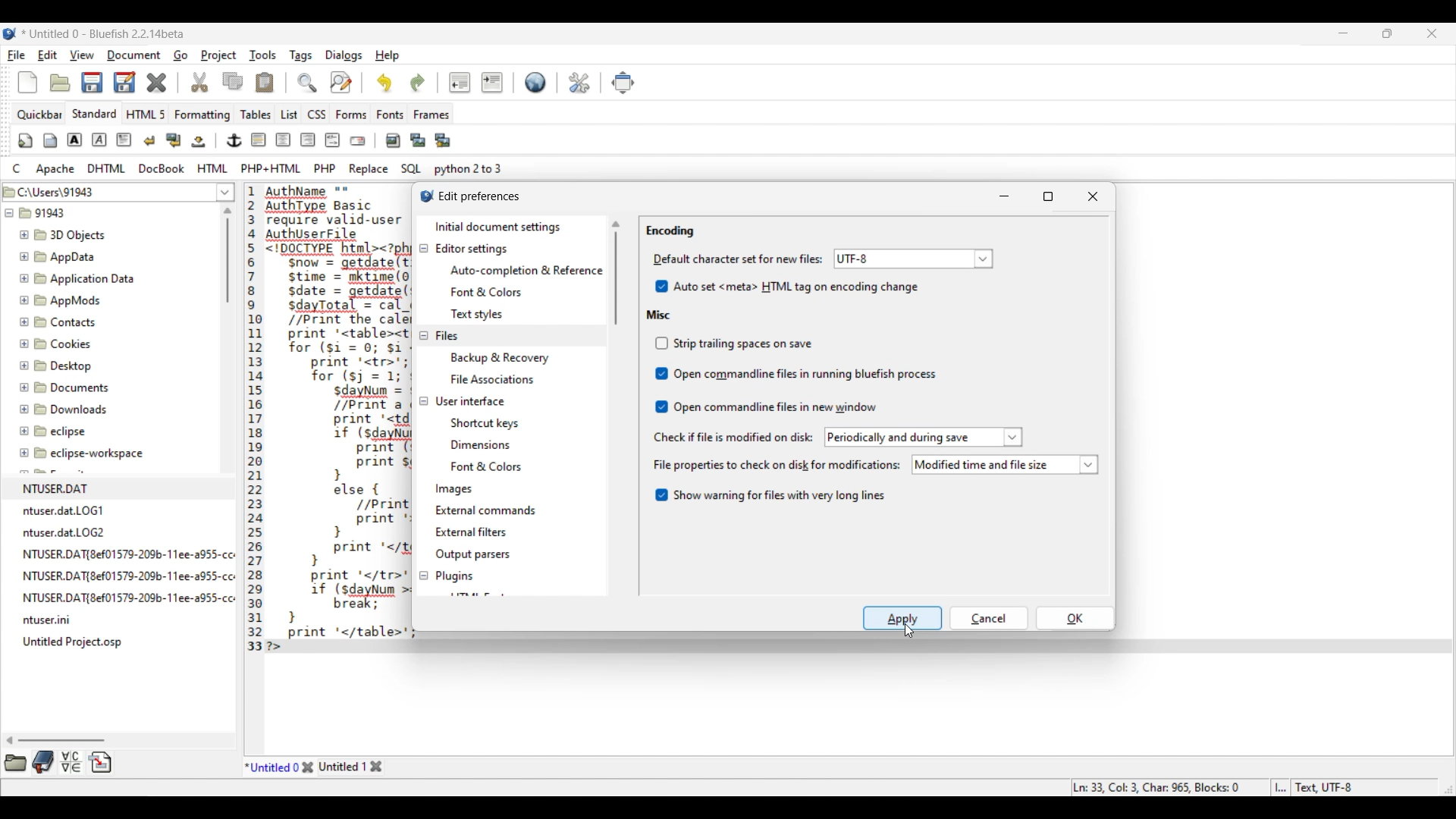  What do you see at coordinates (227, 256) in the screenshot?
I see `Vertical slide bar` at bounding box center [227, 256].